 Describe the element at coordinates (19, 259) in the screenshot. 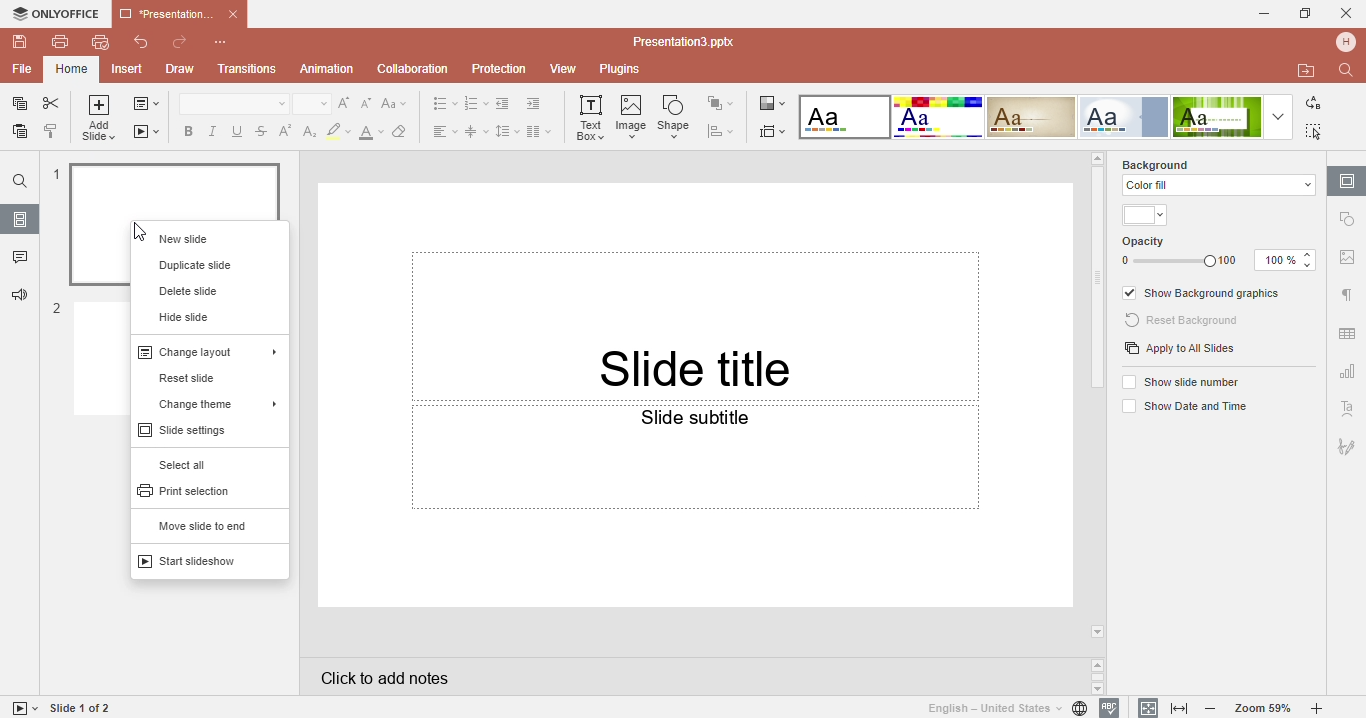

I see `Comments` at that location.